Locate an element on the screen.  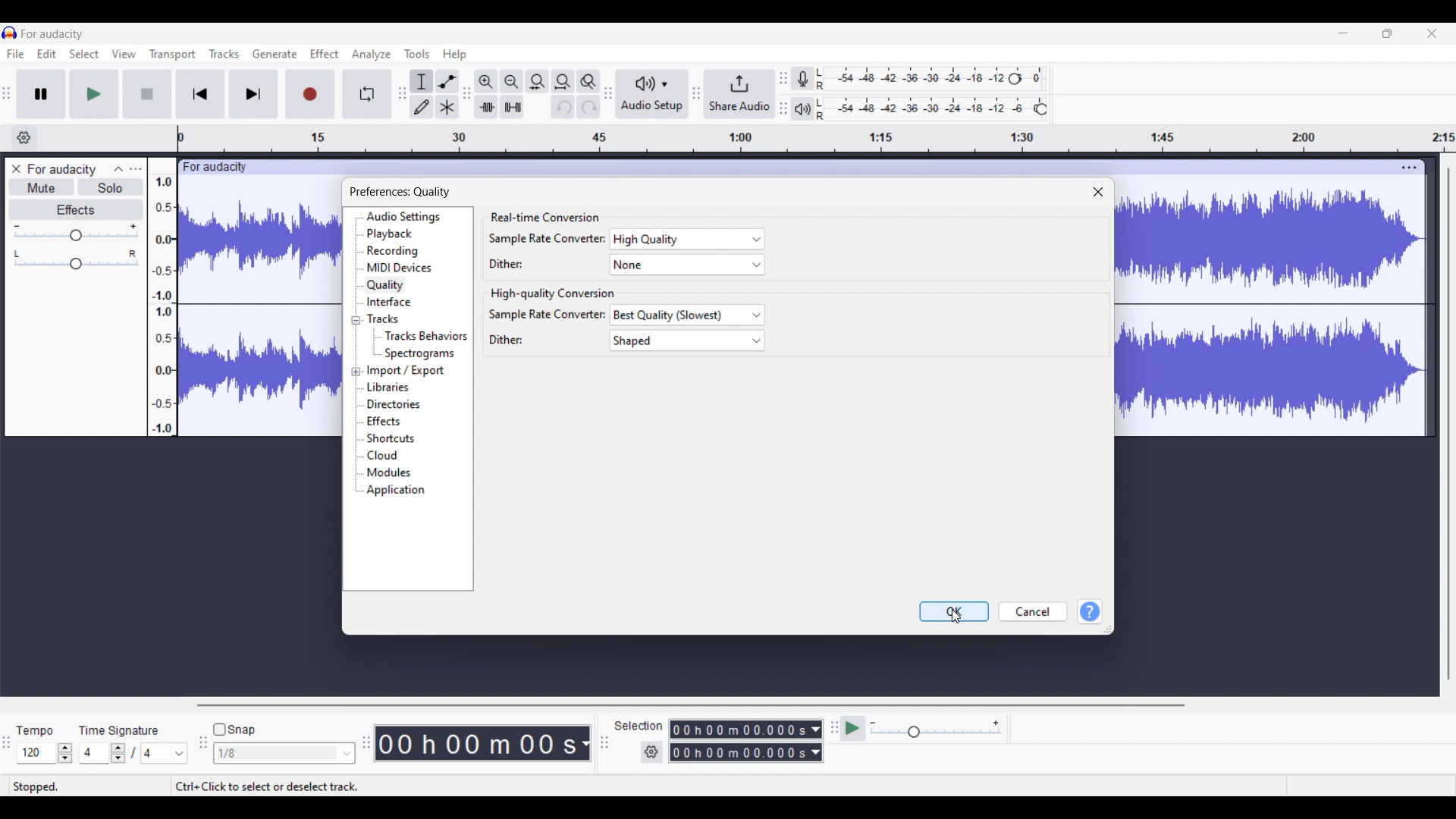
Effects is located at coordinates (76, 209).